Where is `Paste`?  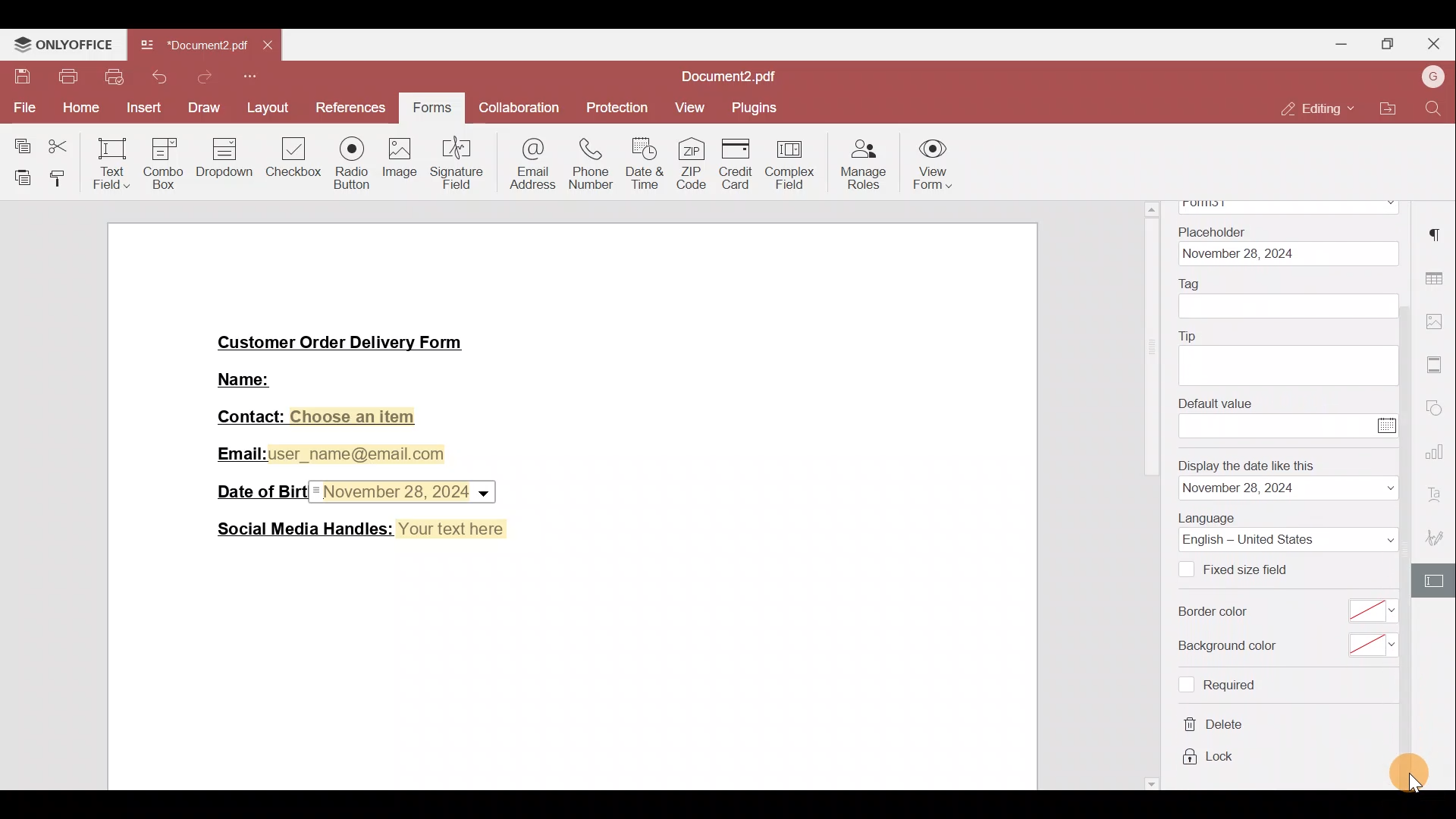 Paste is located at coordinates (18, 174).